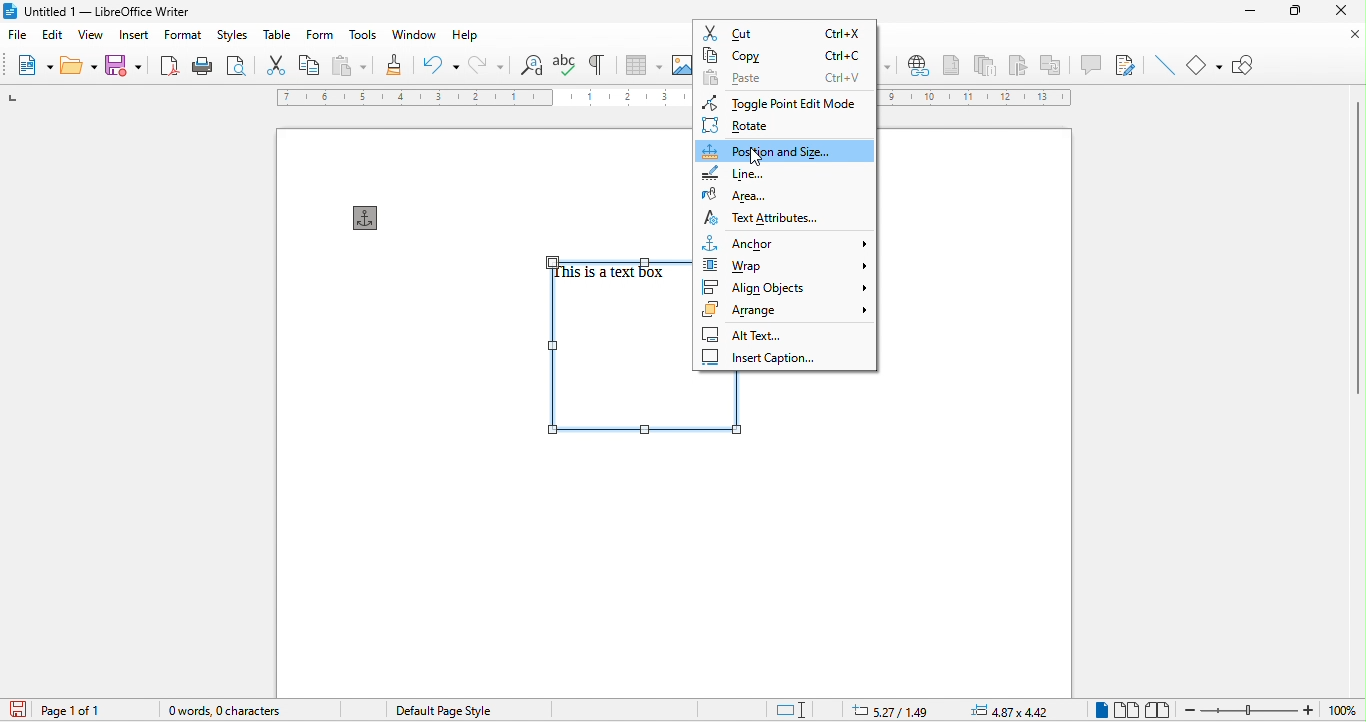  Describe the element at coordinates (1056, 64) in the screenshot. I see `cross reference` at that location.